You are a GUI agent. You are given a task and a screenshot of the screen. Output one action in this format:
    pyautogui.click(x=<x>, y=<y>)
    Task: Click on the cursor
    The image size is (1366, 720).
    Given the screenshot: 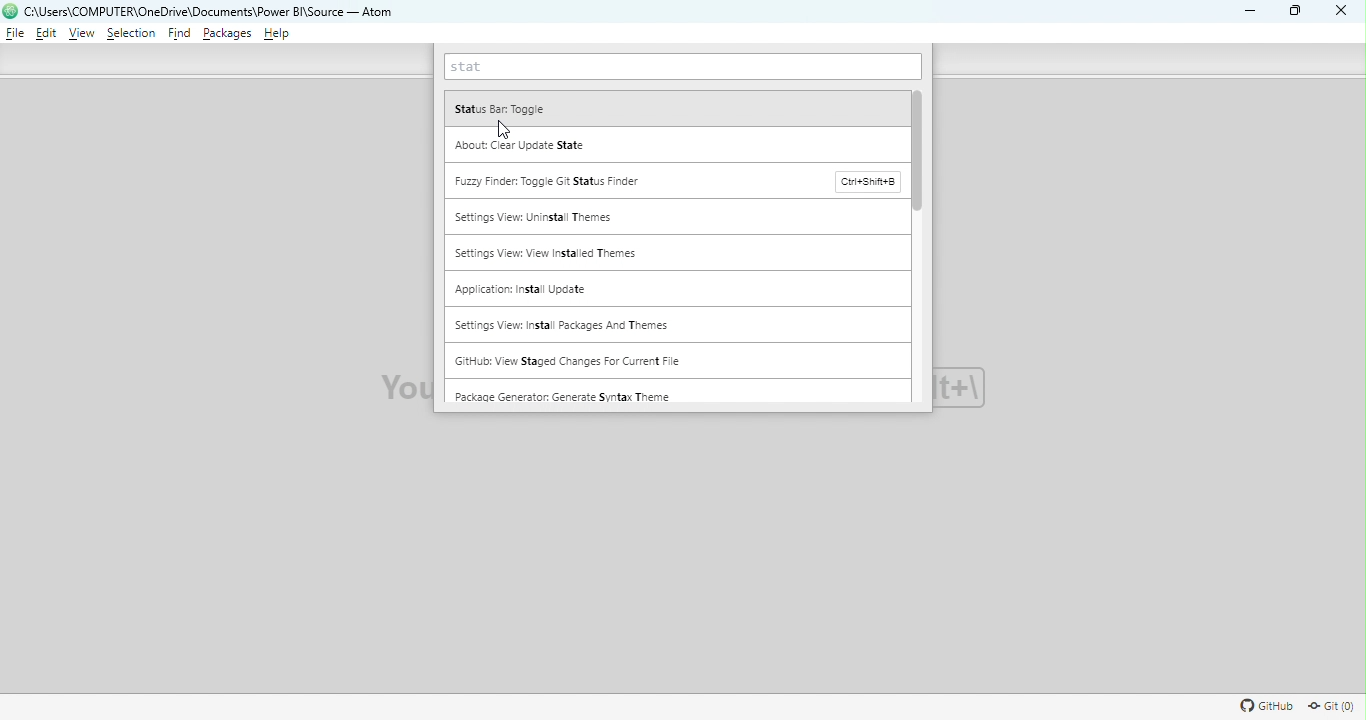 What is the action you would take?
    pyautogui.click(x=508, y=131)
    